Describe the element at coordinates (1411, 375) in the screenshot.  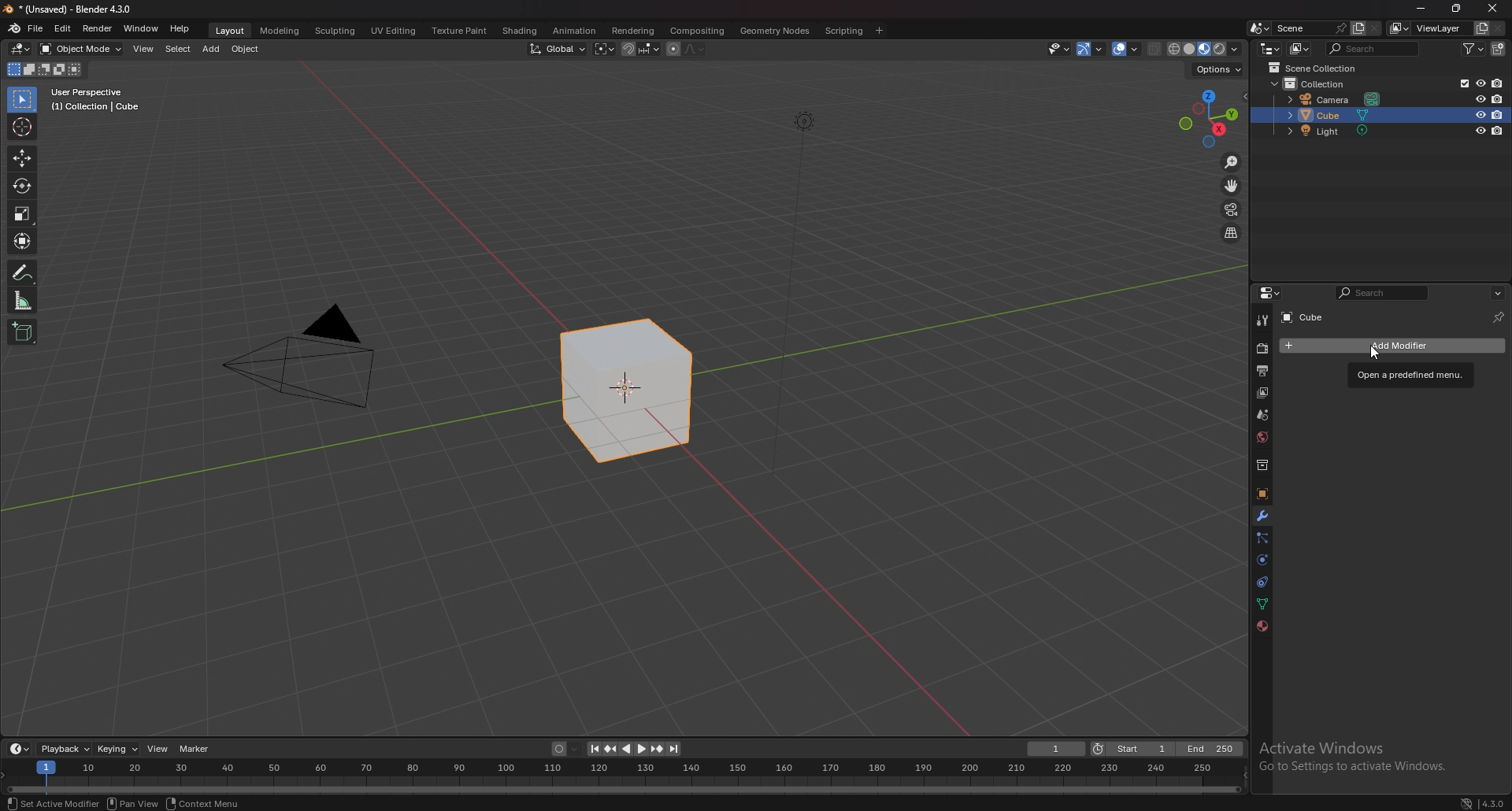
I see `tooltip` at that location.